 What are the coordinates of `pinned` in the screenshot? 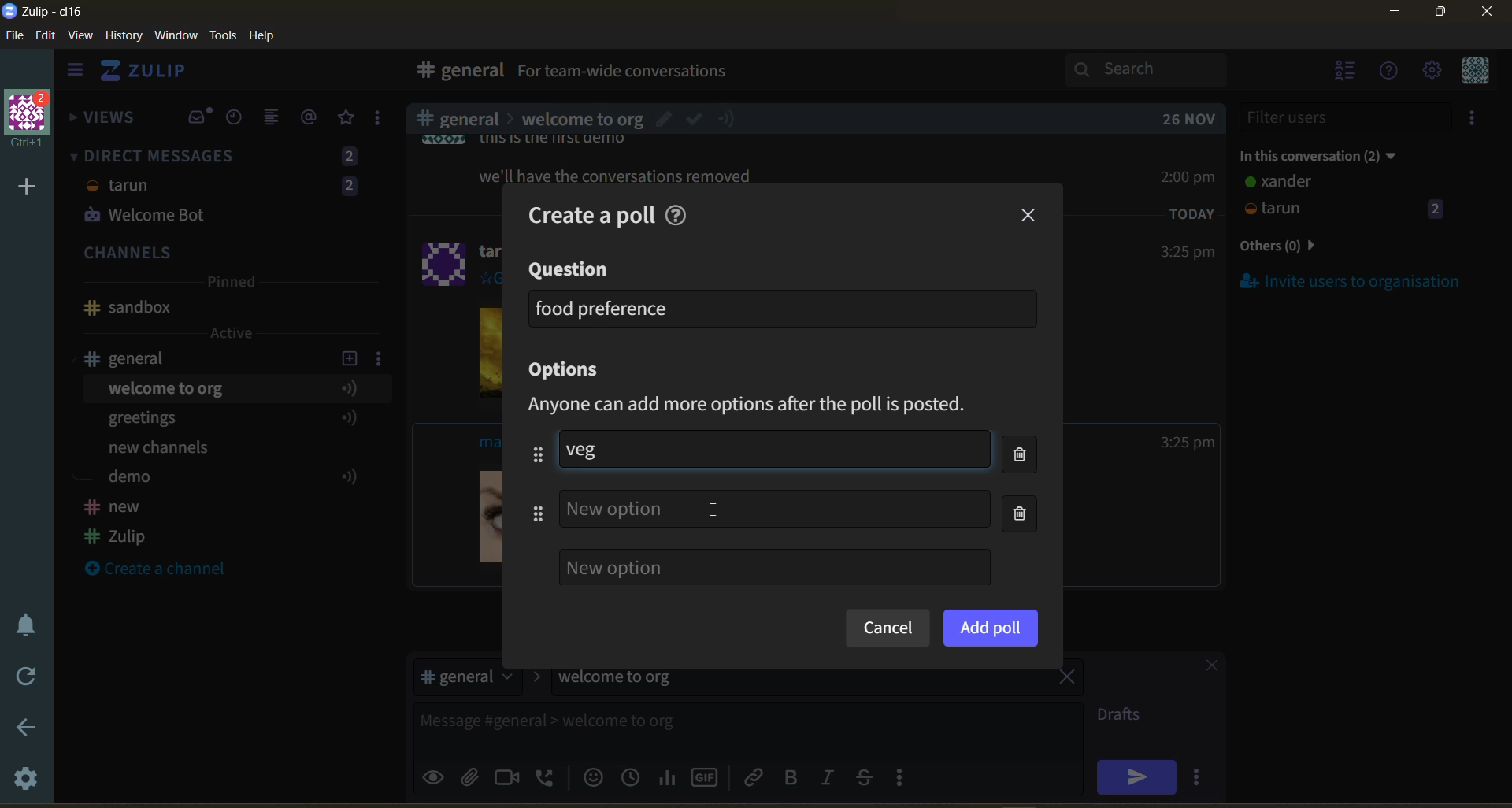 It's located at (230, 284).